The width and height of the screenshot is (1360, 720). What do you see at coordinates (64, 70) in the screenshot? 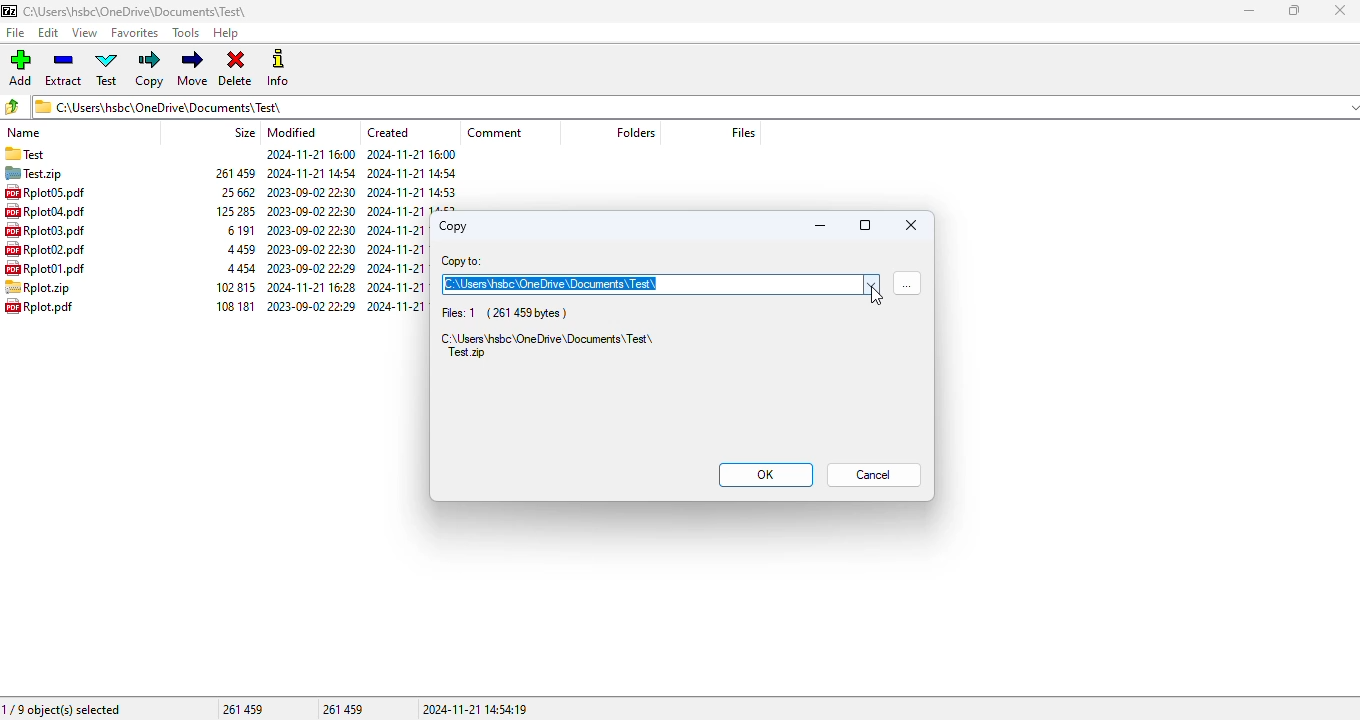
I see `extract` at bounding box center [64, 70].